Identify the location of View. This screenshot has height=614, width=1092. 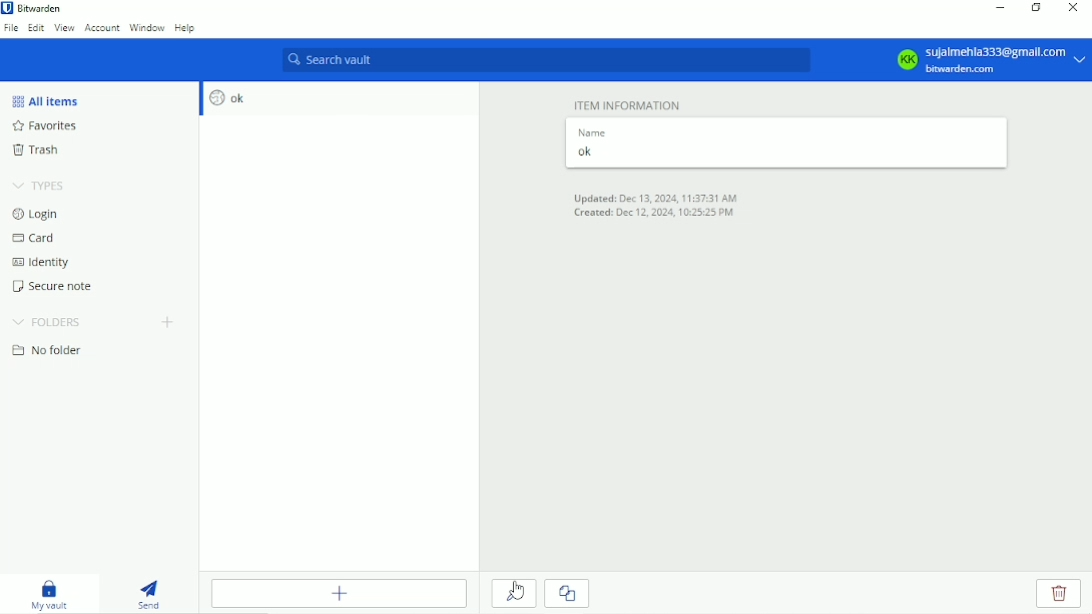
(65, 29).